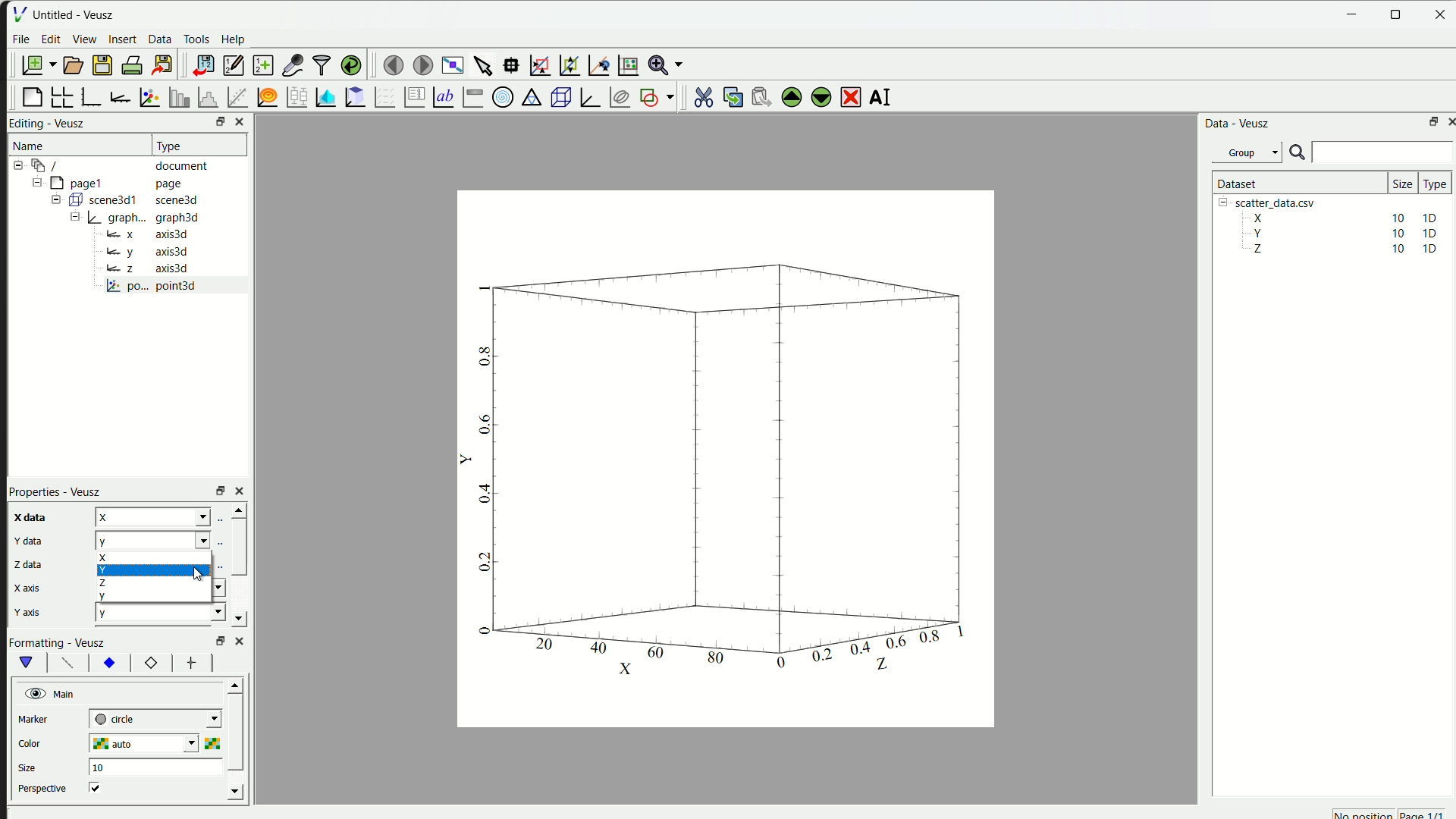 This screenshot has width=1456, height=819. What do you see at coordinates (218, 639) in the screenshot?
I see `` at bounding box center [218, 639].